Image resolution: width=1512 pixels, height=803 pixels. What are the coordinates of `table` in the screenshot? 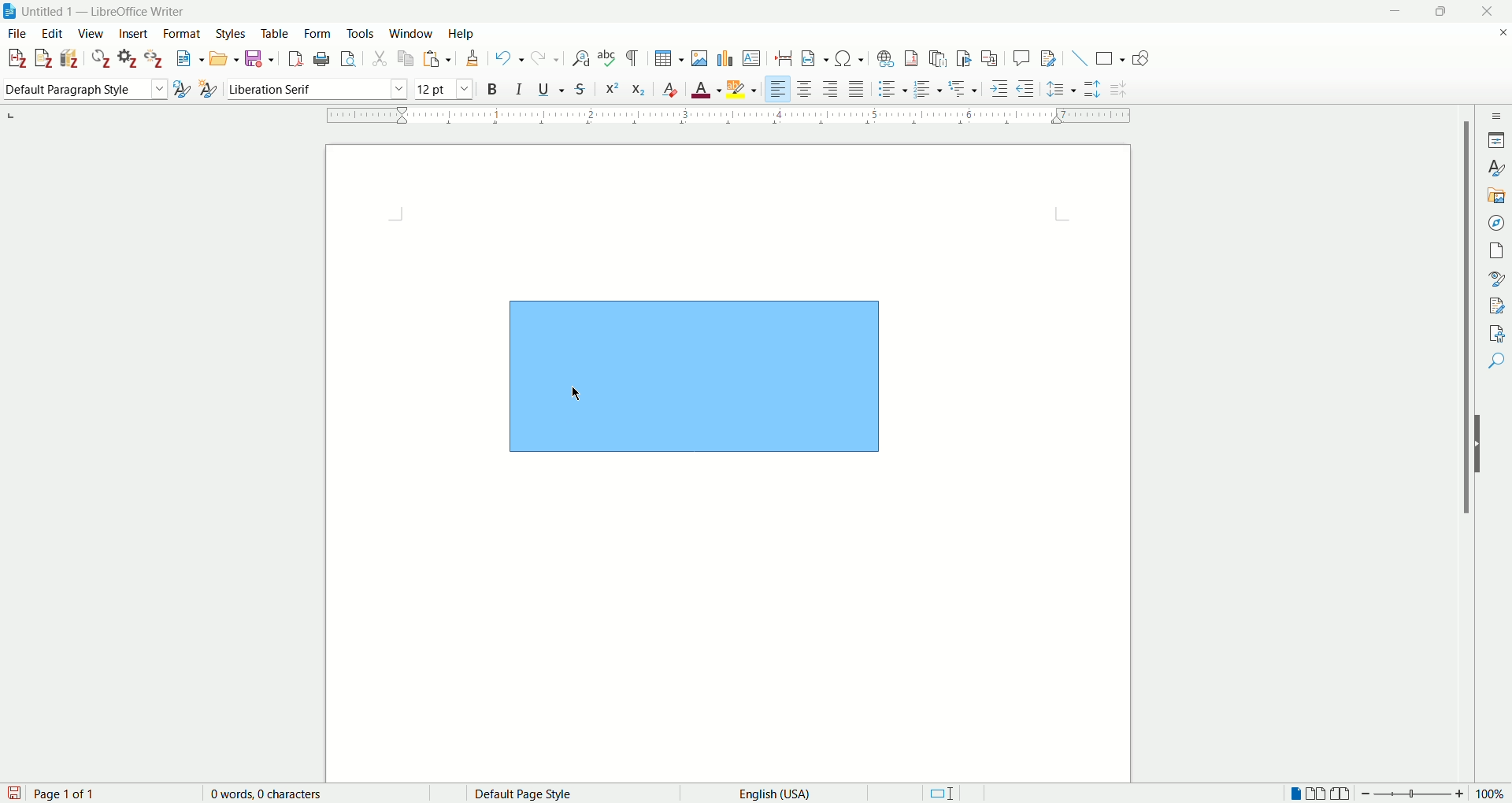 It's located at (275, 33).